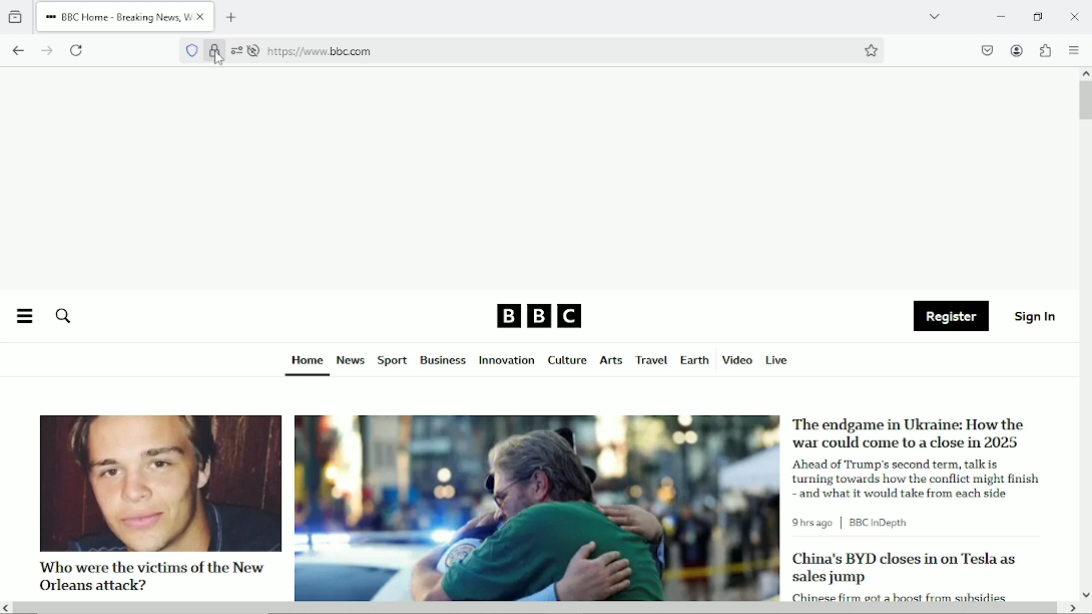 The width and height of the screenshot is (1092, 614). Describe the element at coordinates (1074, 15) in the screenshot. I see `close` at that location.